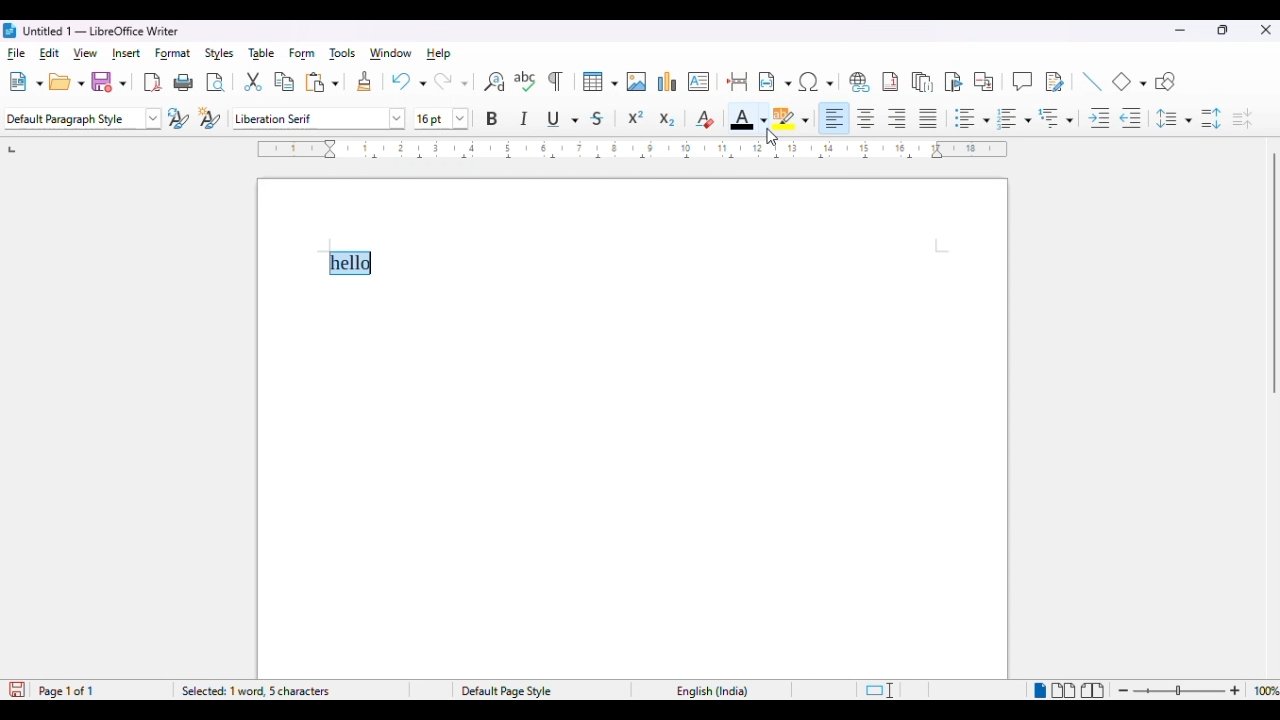 The width and height of the screenshot is (1280, 720). What do you see at coordinates (738, 81) in the screenshot?
I see `insert page break` at bounding box center [738, 81].